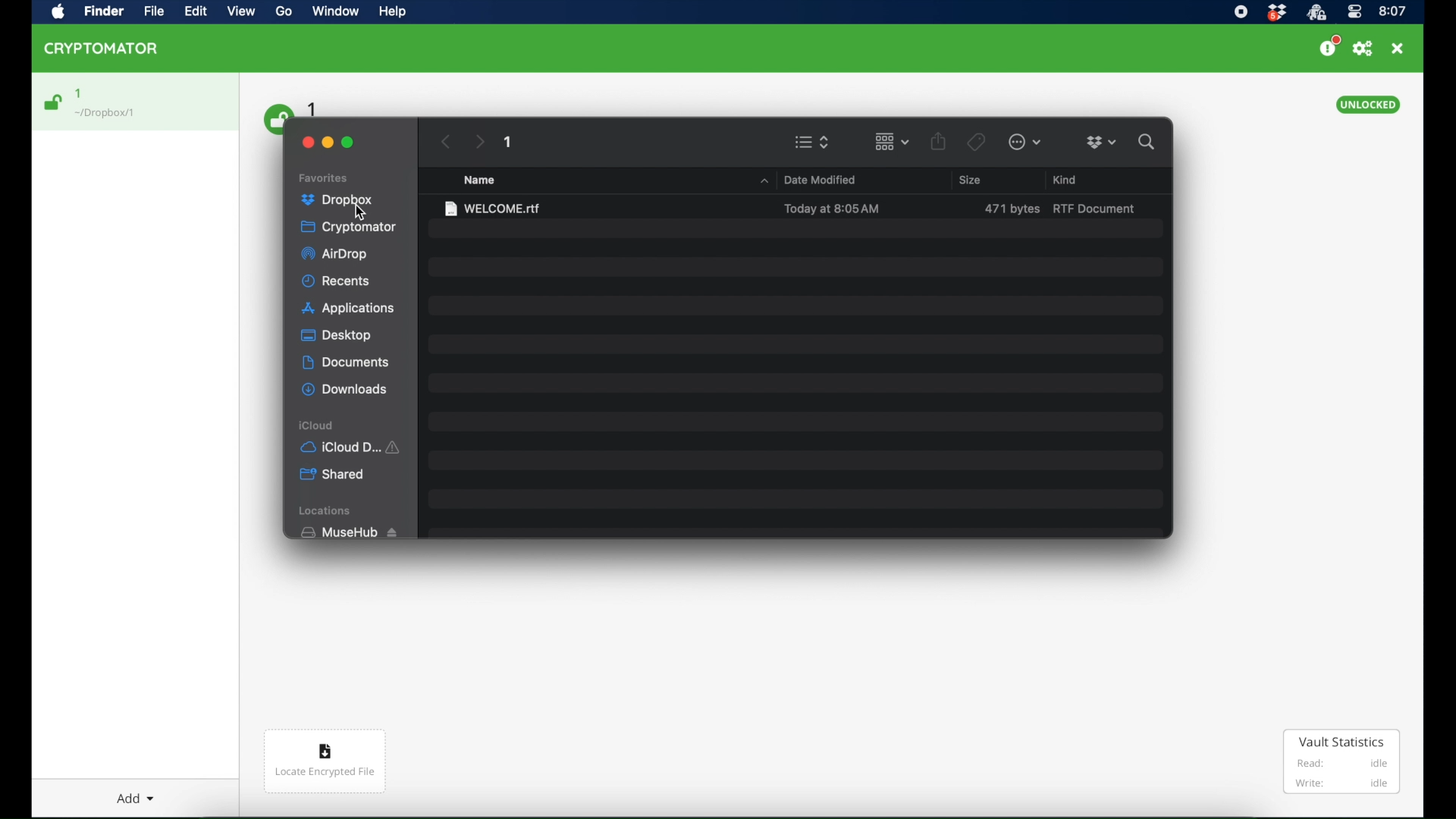 This screenshot has height=819, width=1456. What do you see at coordinates (345, 362) in the screenshot?
I see `documents` at bounding box center [345, 362].